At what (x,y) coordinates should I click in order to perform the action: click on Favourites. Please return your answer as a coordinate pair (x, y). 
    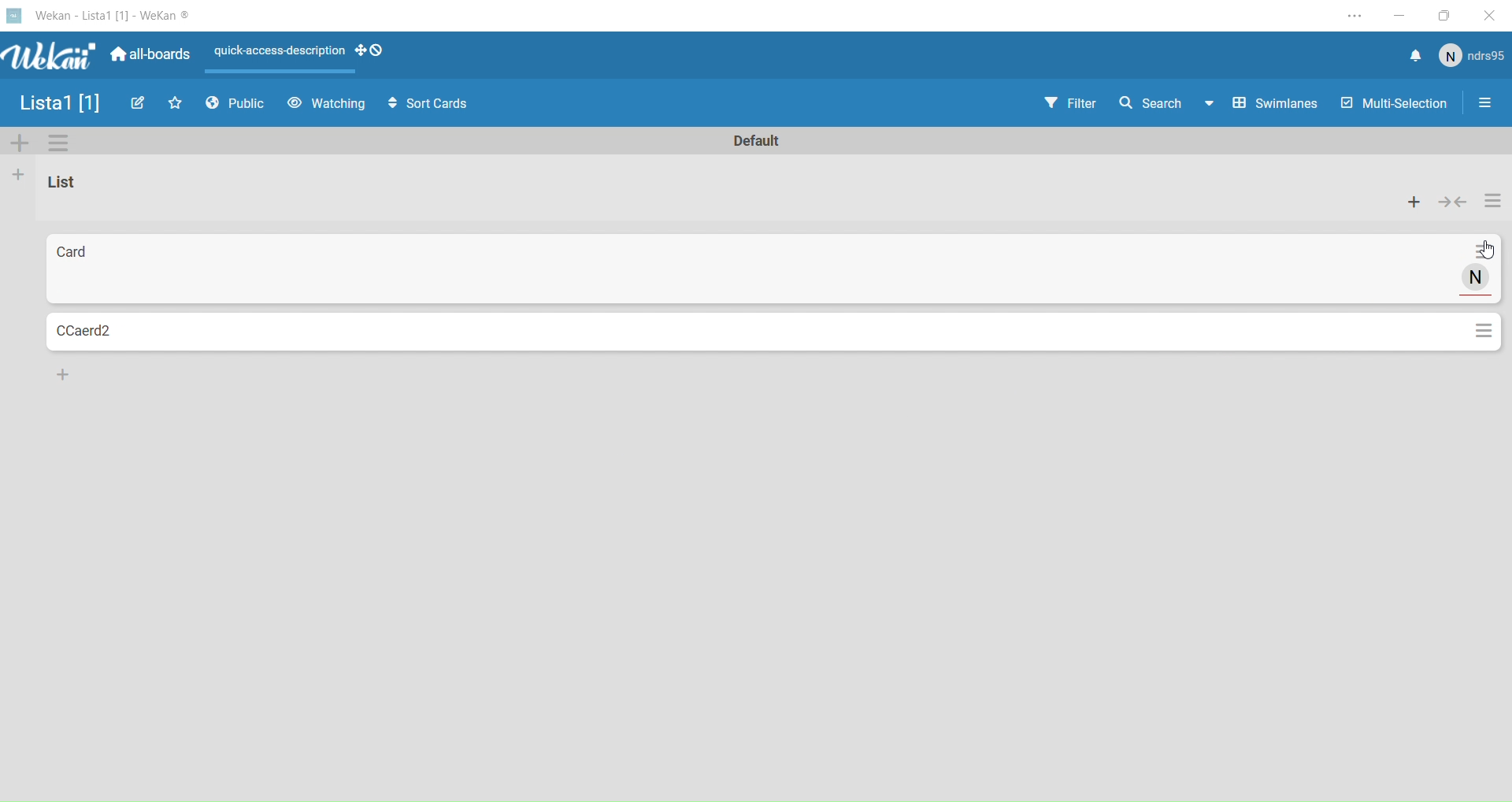
    Looking at the image, I should click on (176, 106).